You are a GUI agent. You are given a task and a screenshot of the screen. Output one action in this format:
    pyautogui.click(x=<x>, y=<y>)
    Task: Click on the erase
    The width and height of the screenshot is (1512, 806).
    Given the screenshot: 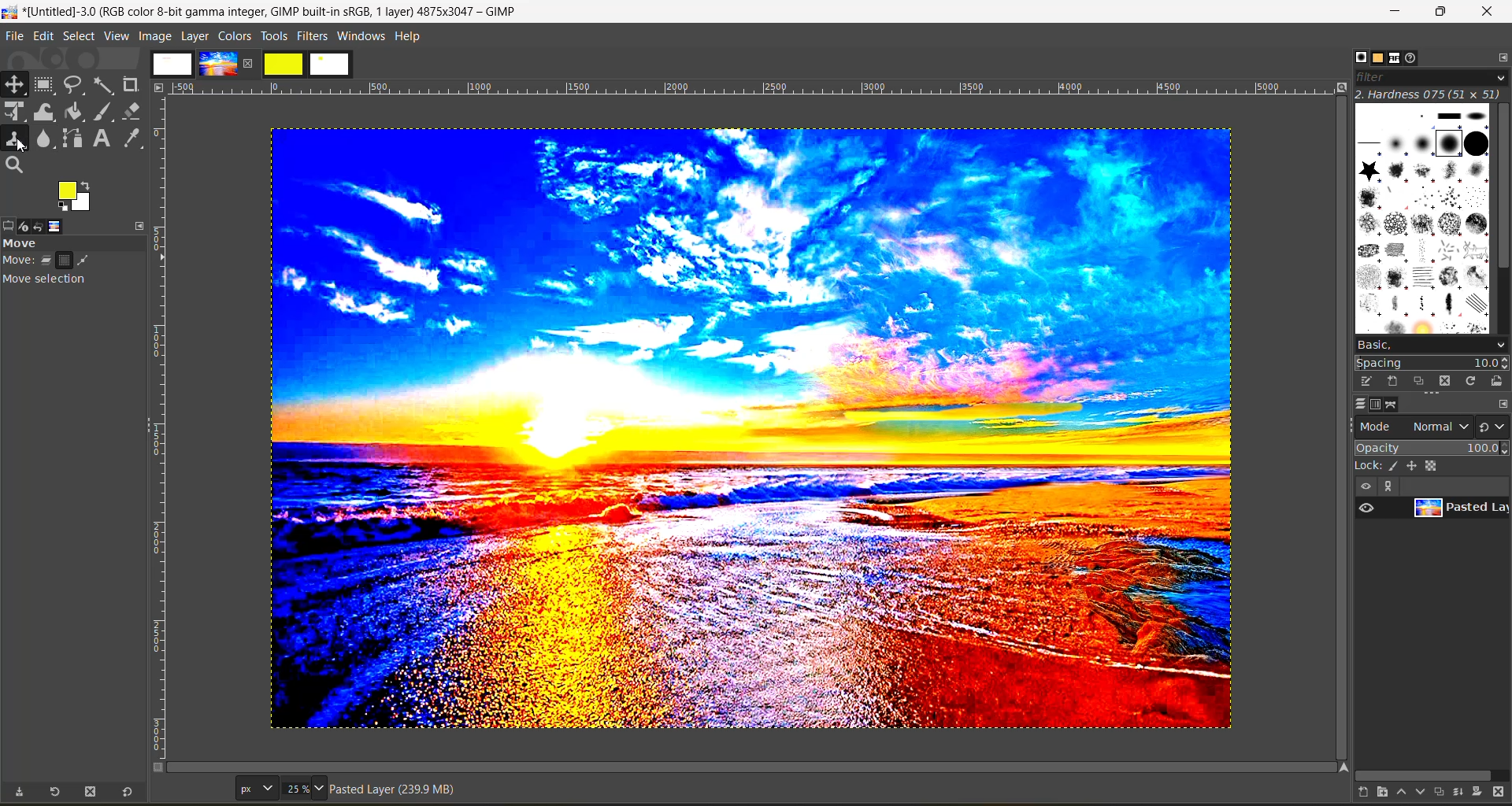 What is the action you would take?
    pyautogui.click(x=132, y=111)
    